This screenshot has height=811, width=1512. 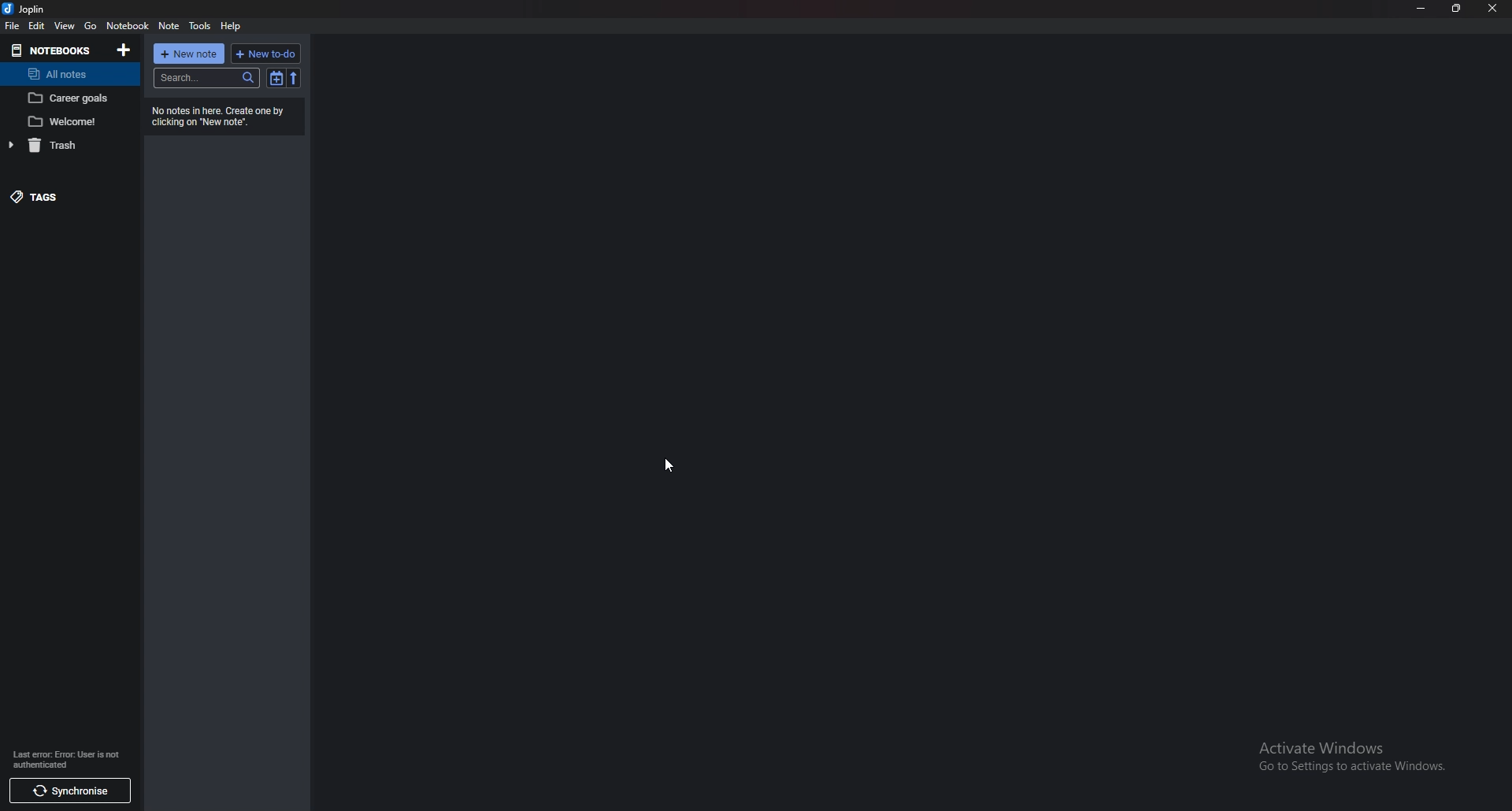 What do you see at coordinates (123, 50) in the screenshot?
I see `add notebook` at bounding box center [123, 50].